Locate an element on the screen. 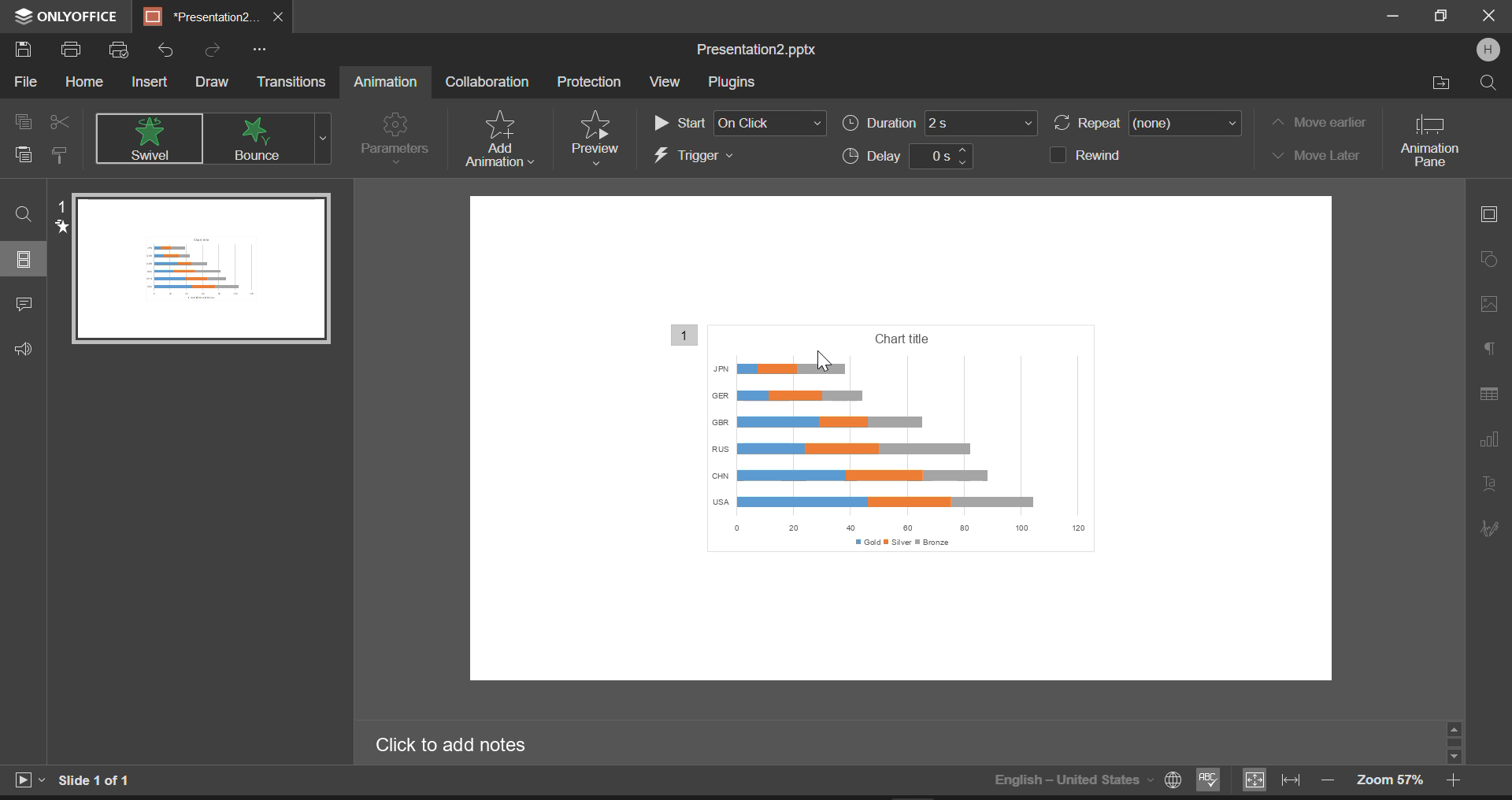 The height and width of the screenshot is (800, 1512). Transitions is located at coordinates (293, 82).